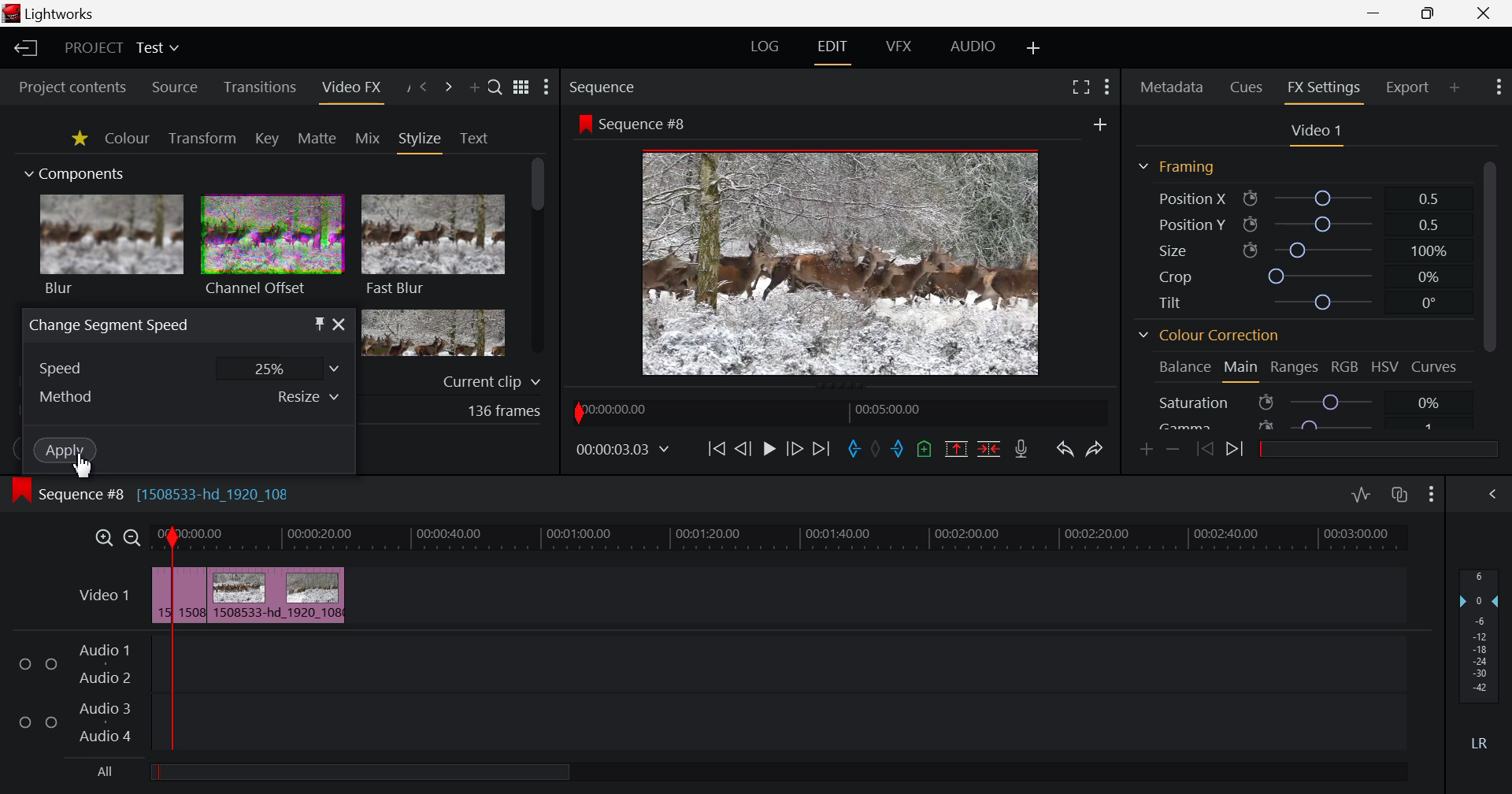 The height and width of the screenshot is (794, 1512). What do you see at coordinates (368, 138) in the screenshot?
I see `Mix` at bounding box center [368, 138].